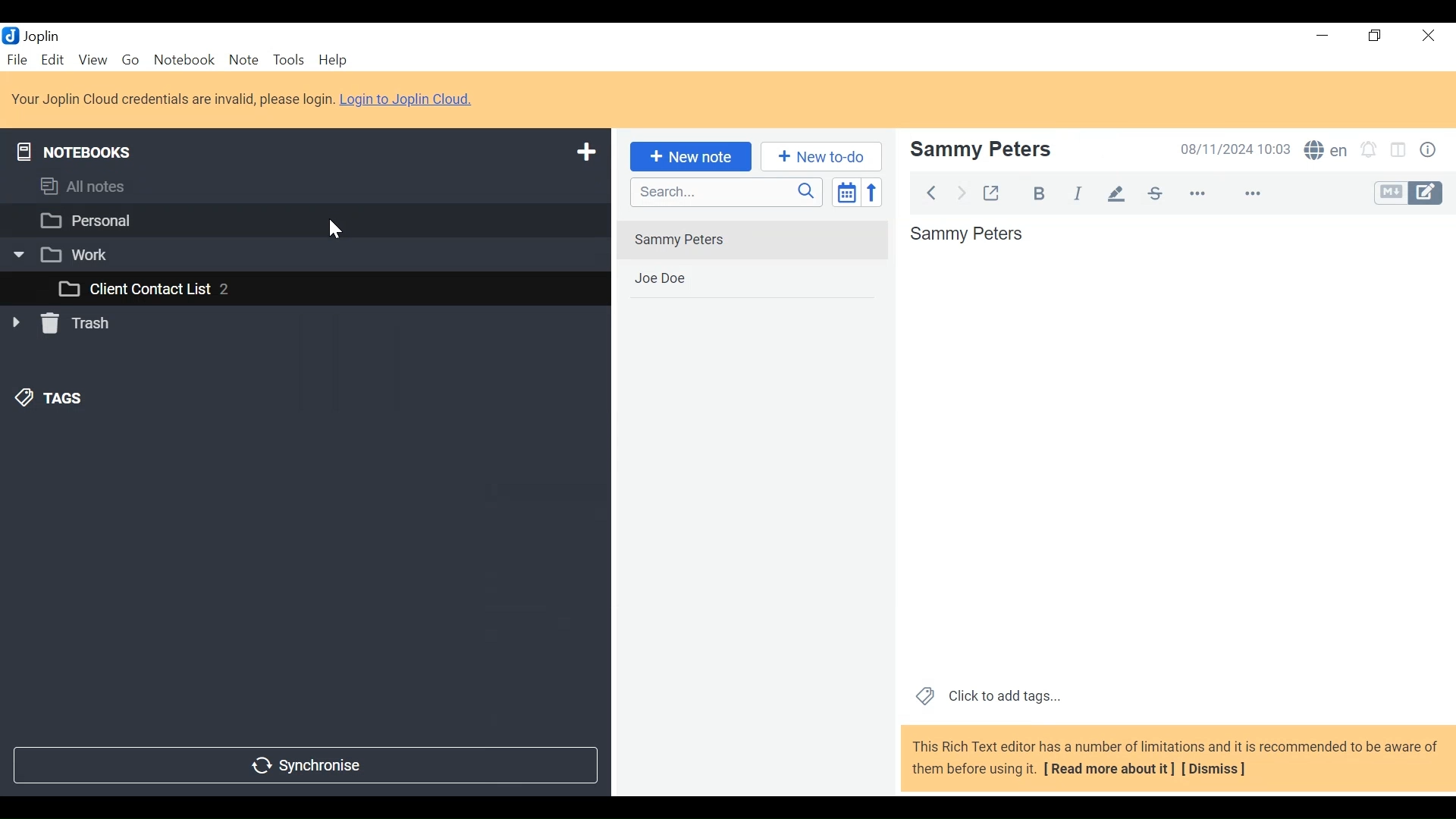 This screenshot has width=1456, height=819. I want to click on [3 Client Contact List 2, so click(146, 289).